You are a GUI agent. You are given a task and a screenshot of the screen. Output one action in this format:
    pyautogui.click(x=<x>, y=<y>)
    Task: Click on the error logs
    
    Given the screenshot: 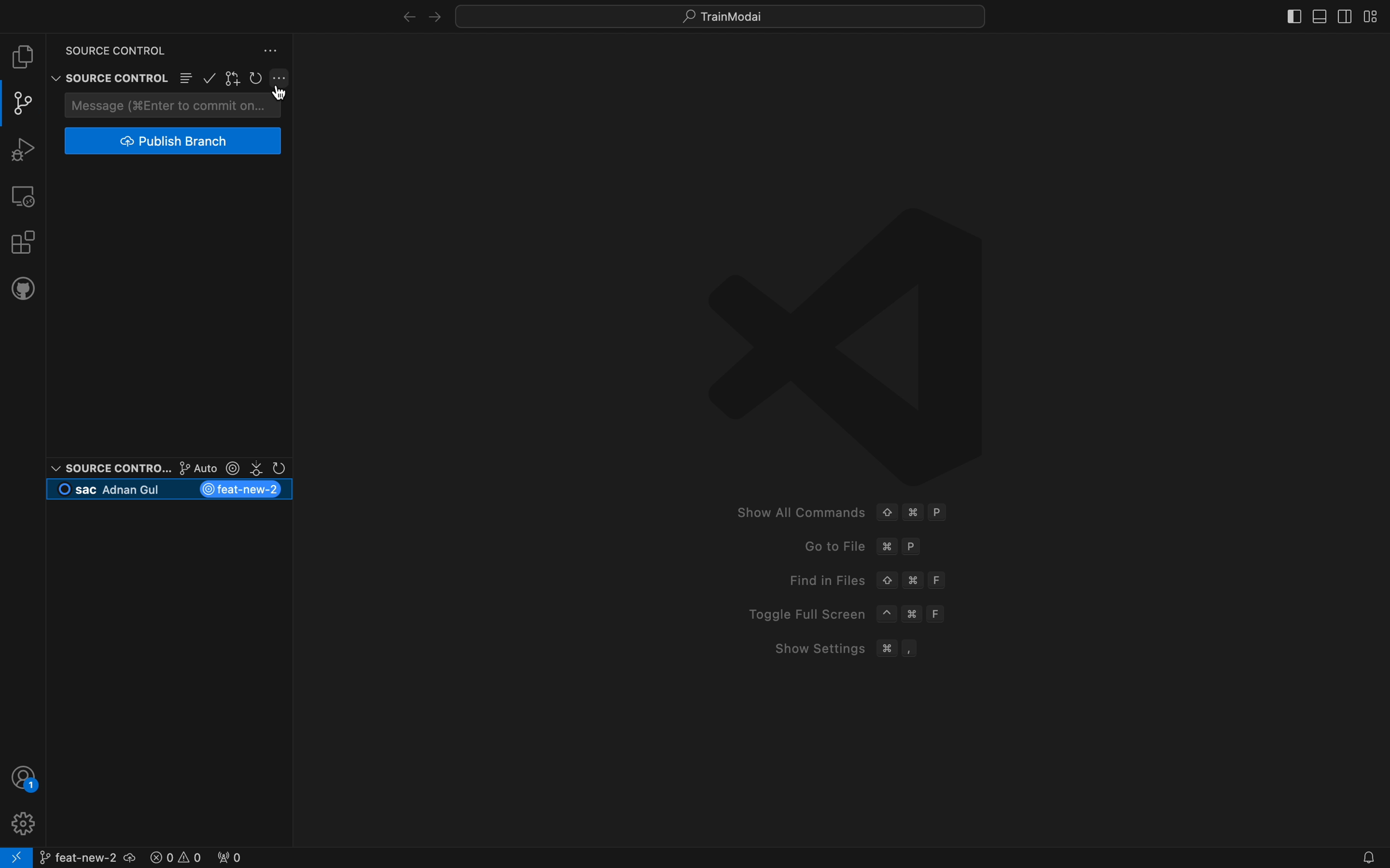 What is the action you would take?
    pyautogui.click(x=213, y=855)
    